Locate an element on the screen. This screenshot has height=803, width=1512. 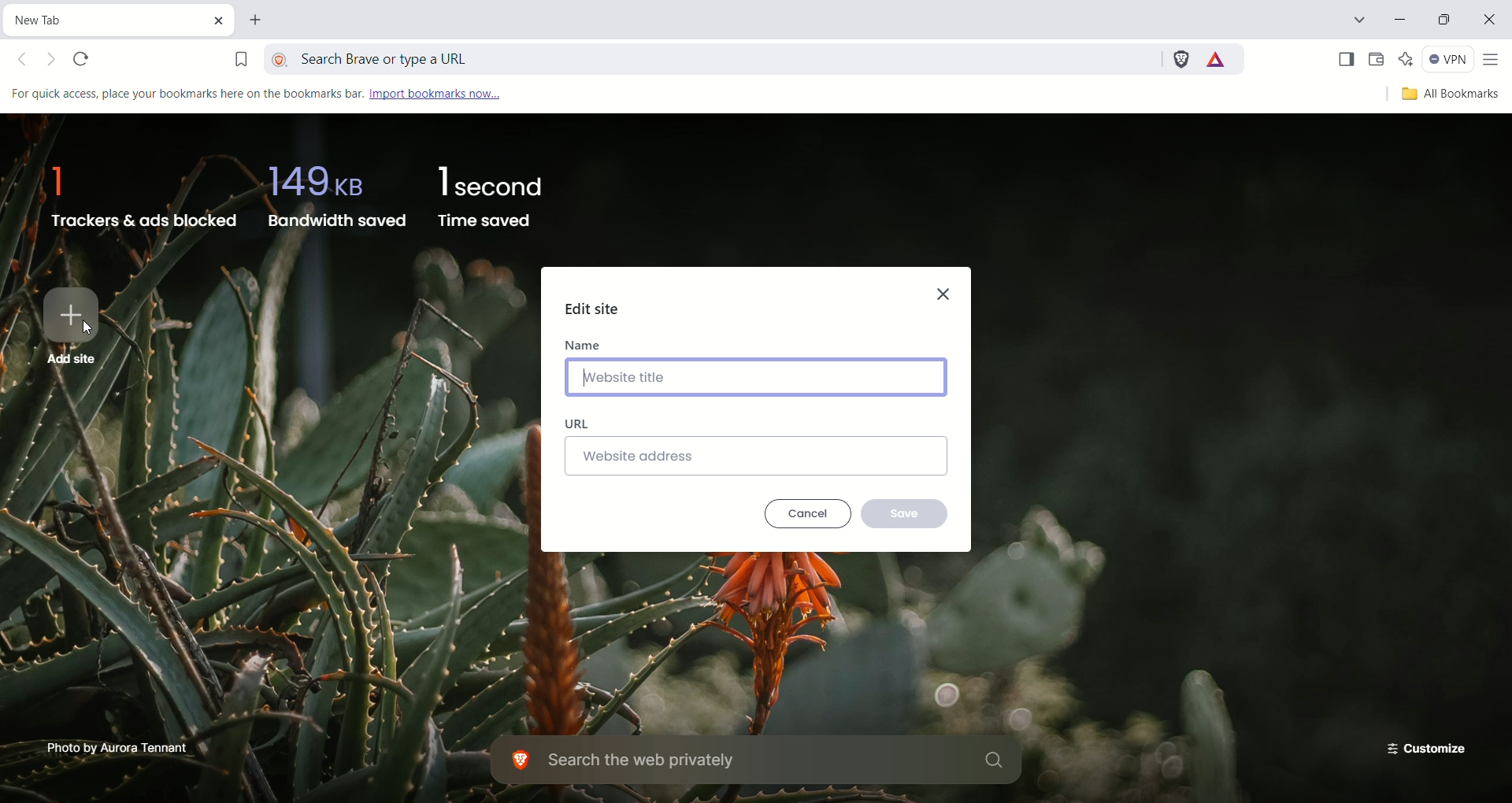
Click to go back,  hold to see history is located at coordinates (28, 61).